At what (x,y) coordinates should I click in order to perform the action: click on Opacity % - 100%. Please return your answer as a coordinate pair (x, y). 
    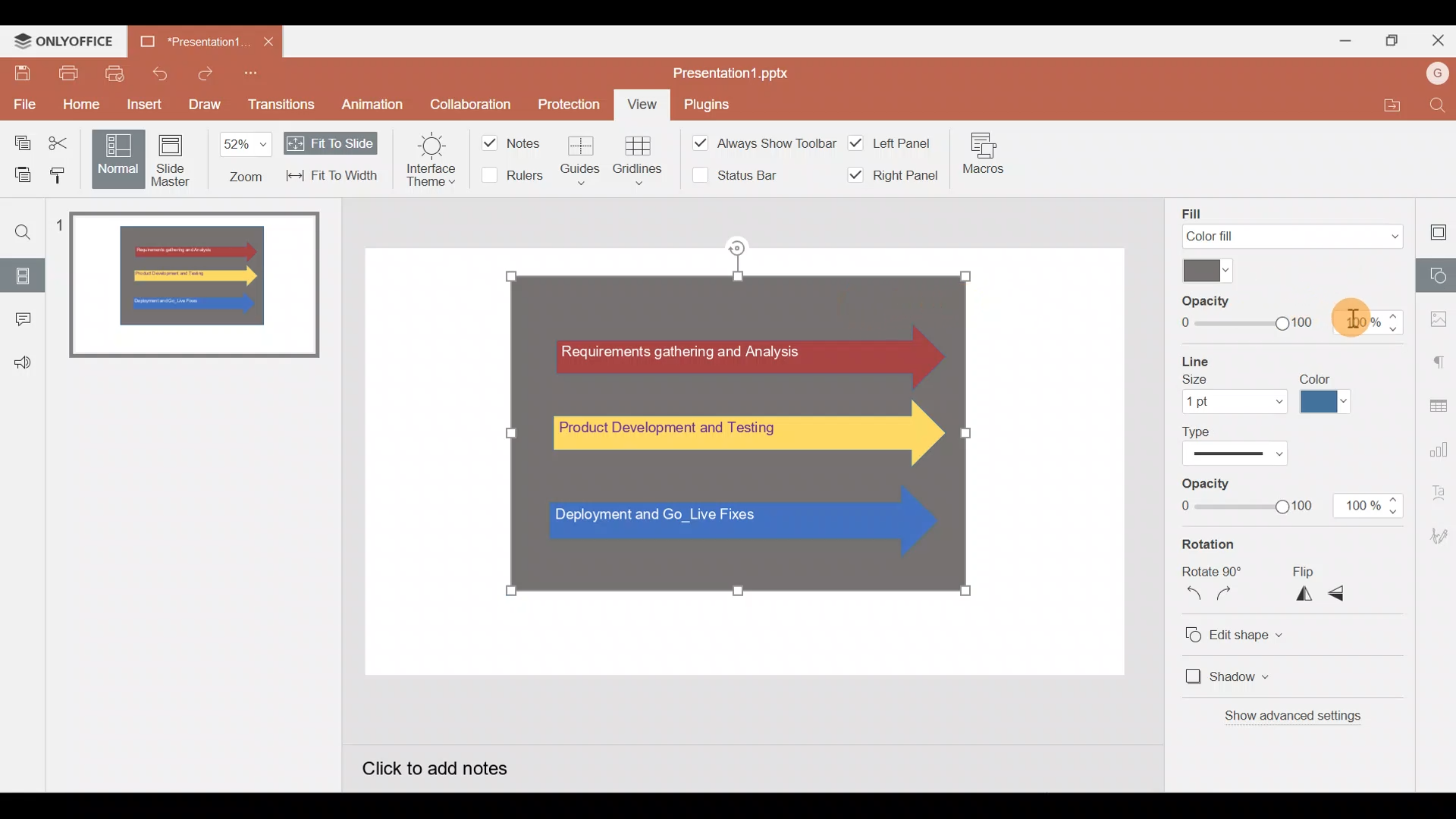
    Looking at the image, I should click on (1373, 322).